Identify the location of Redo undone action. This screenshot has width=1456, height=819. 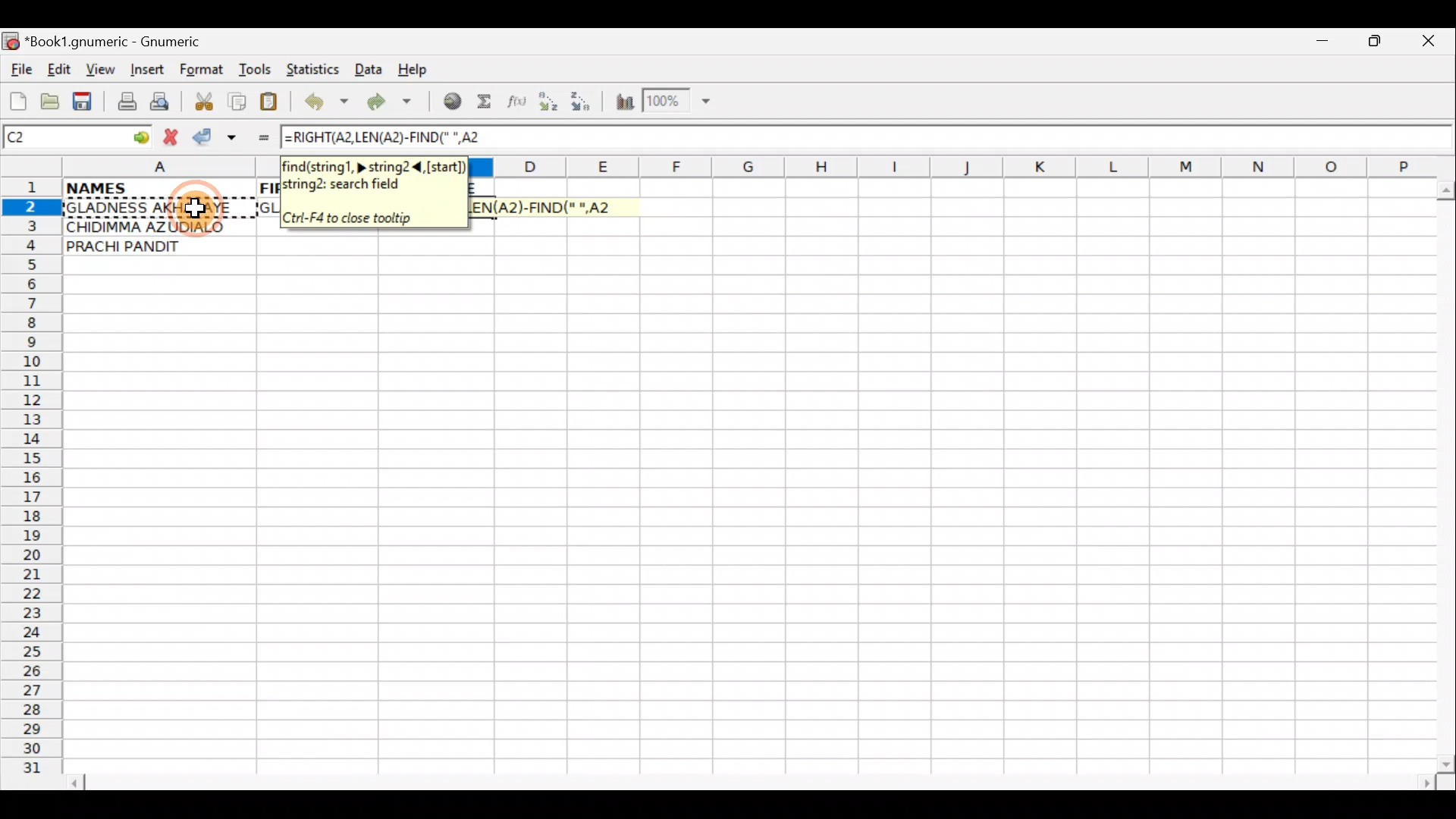
(393, 104).